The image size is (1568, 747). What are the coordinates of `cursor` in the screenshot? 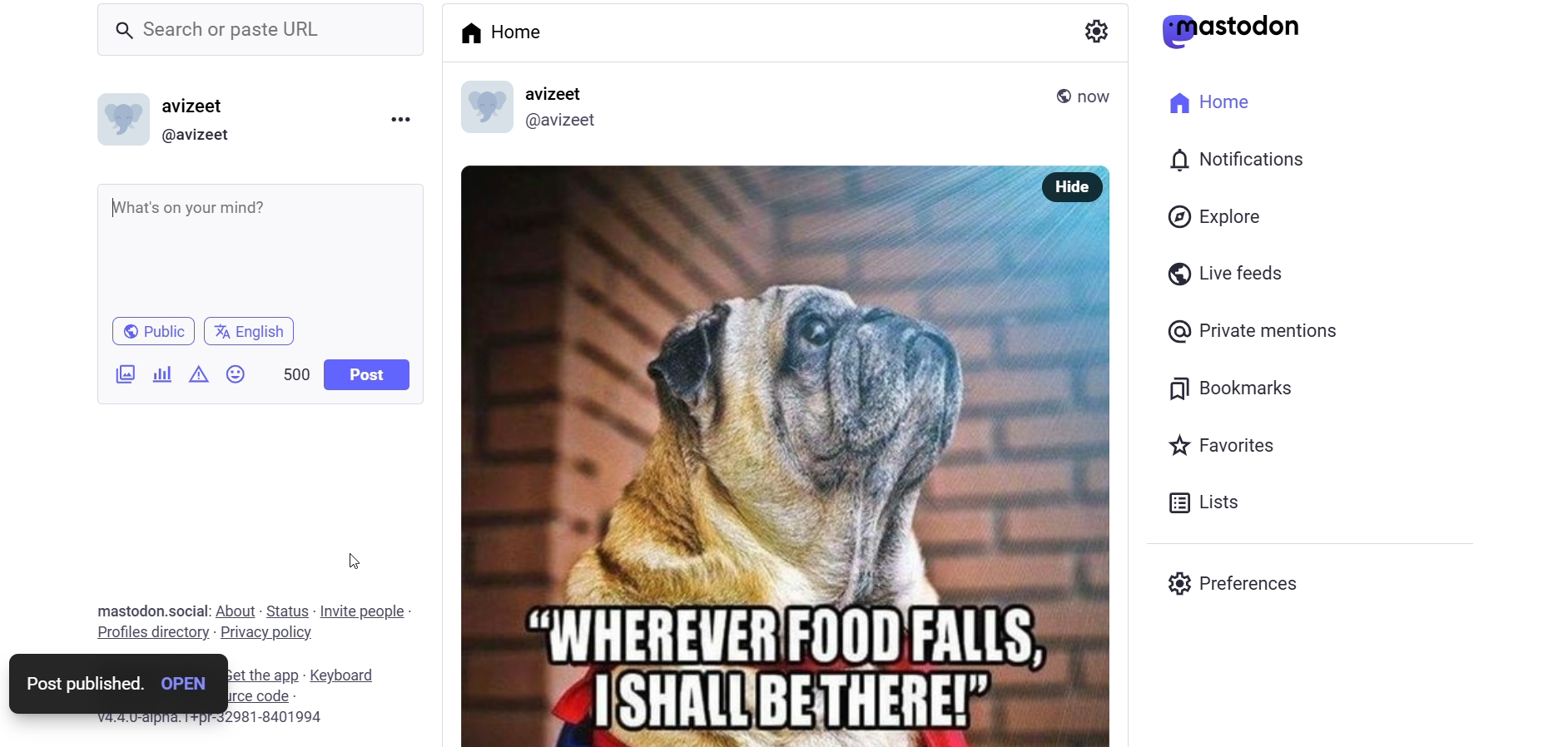 It's located at (358, 555).